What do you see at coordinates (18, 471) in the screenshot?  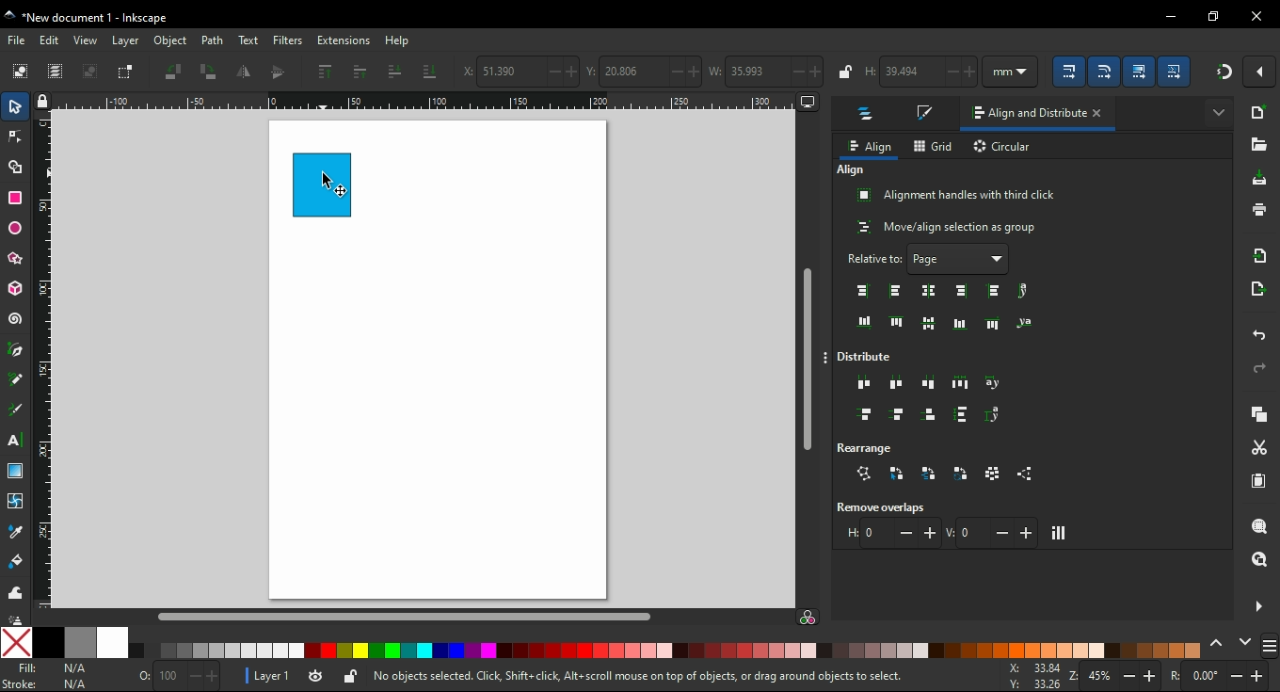 I see `gradient tool` at bounding box center [18, 471].